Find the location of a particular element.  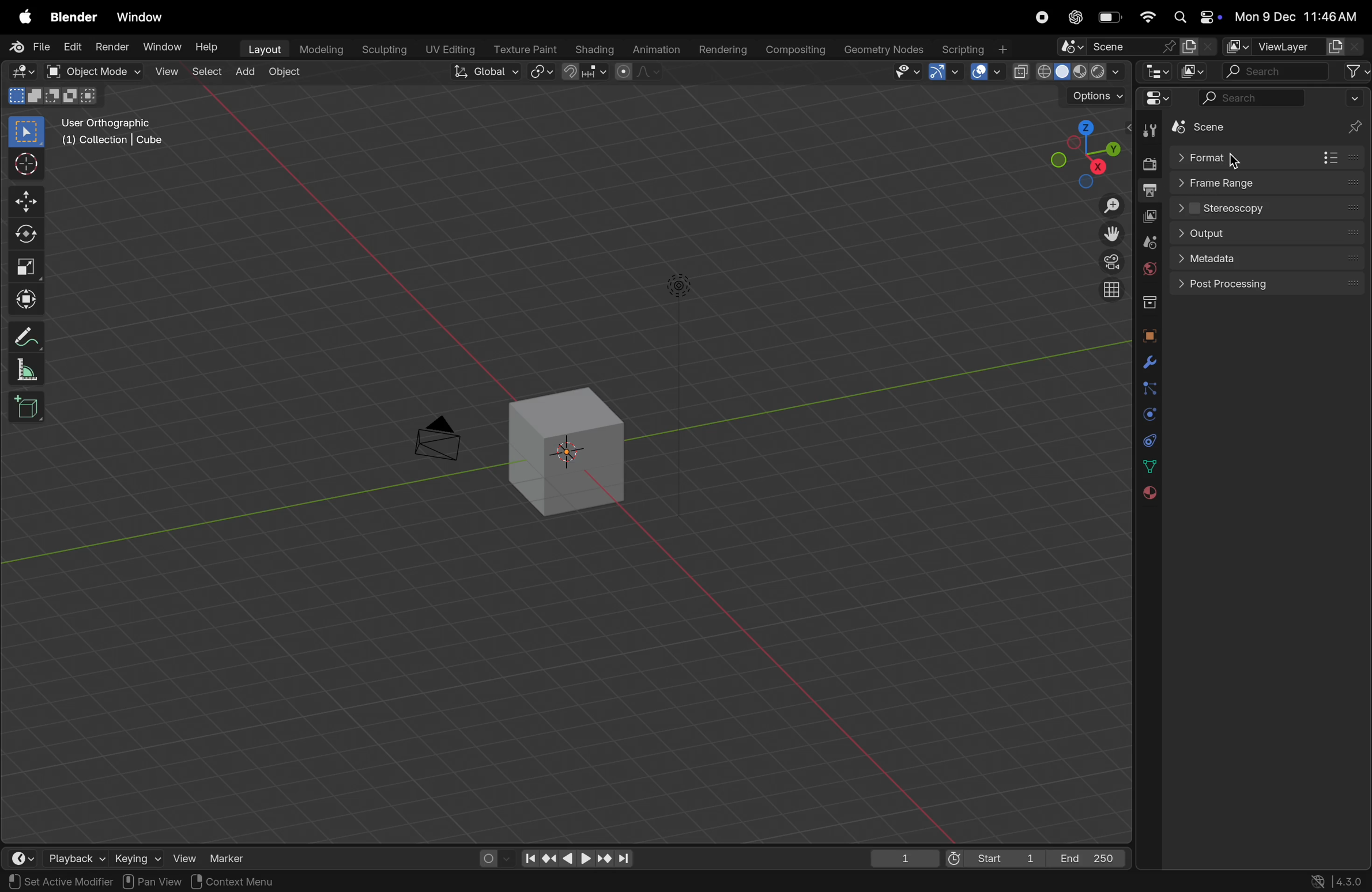

object is located at coordinates (1148, 335).